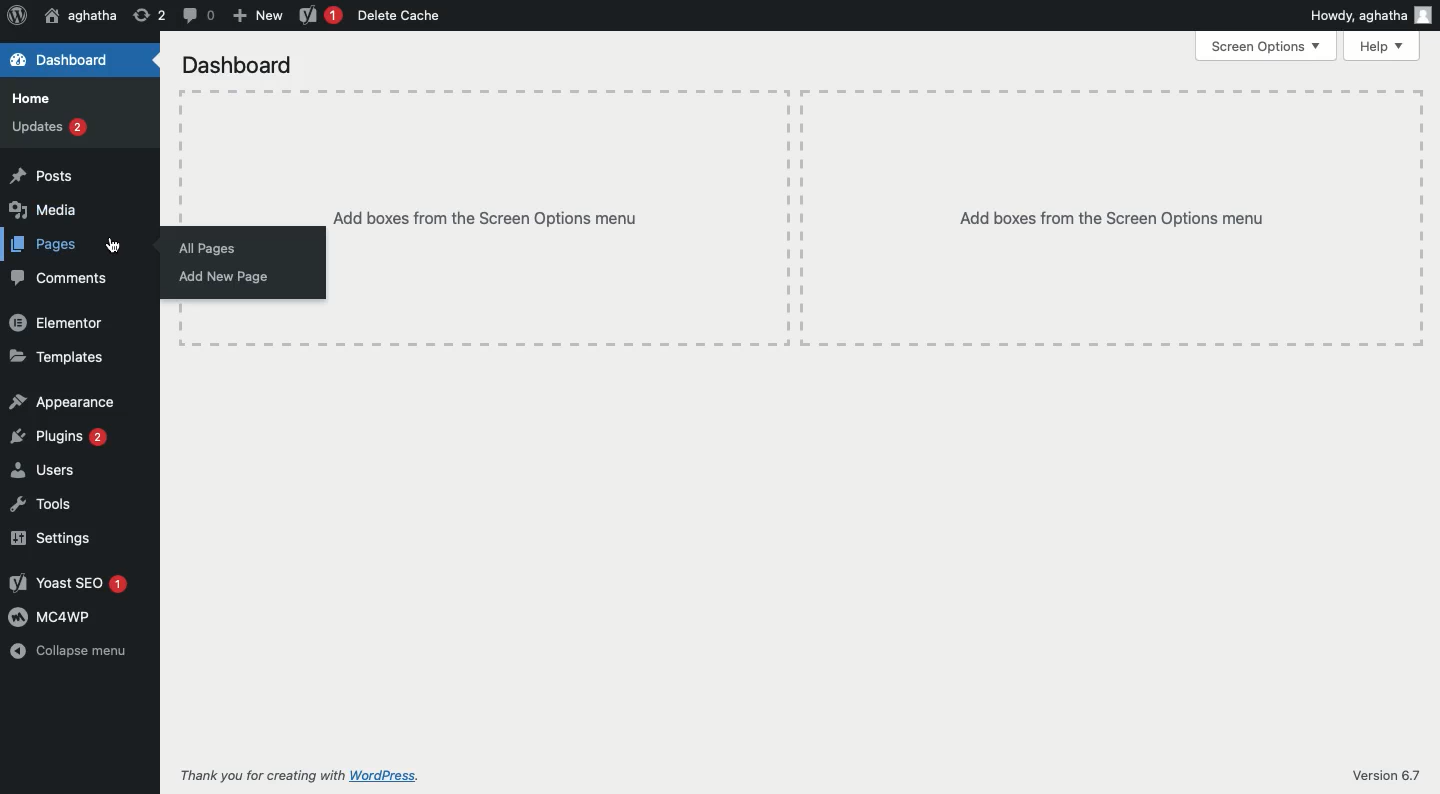 Image resolution: width=1440 pixels, height=794 pixels. Describe the element at coordinates (109, 244) in the screenshot. I see `cursor` at that location.